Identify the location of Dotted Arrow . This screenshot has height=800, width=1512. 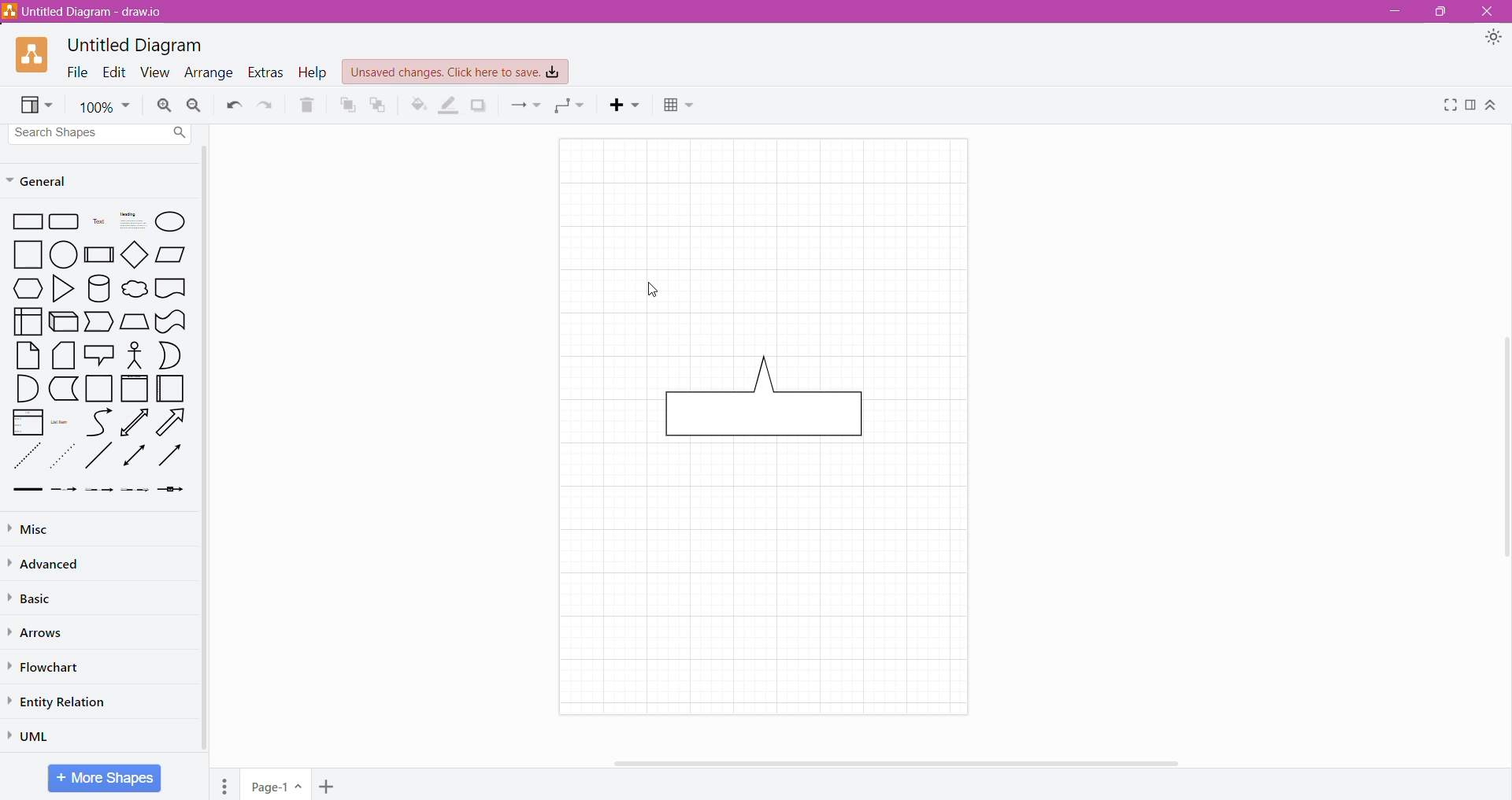
(65, 456).